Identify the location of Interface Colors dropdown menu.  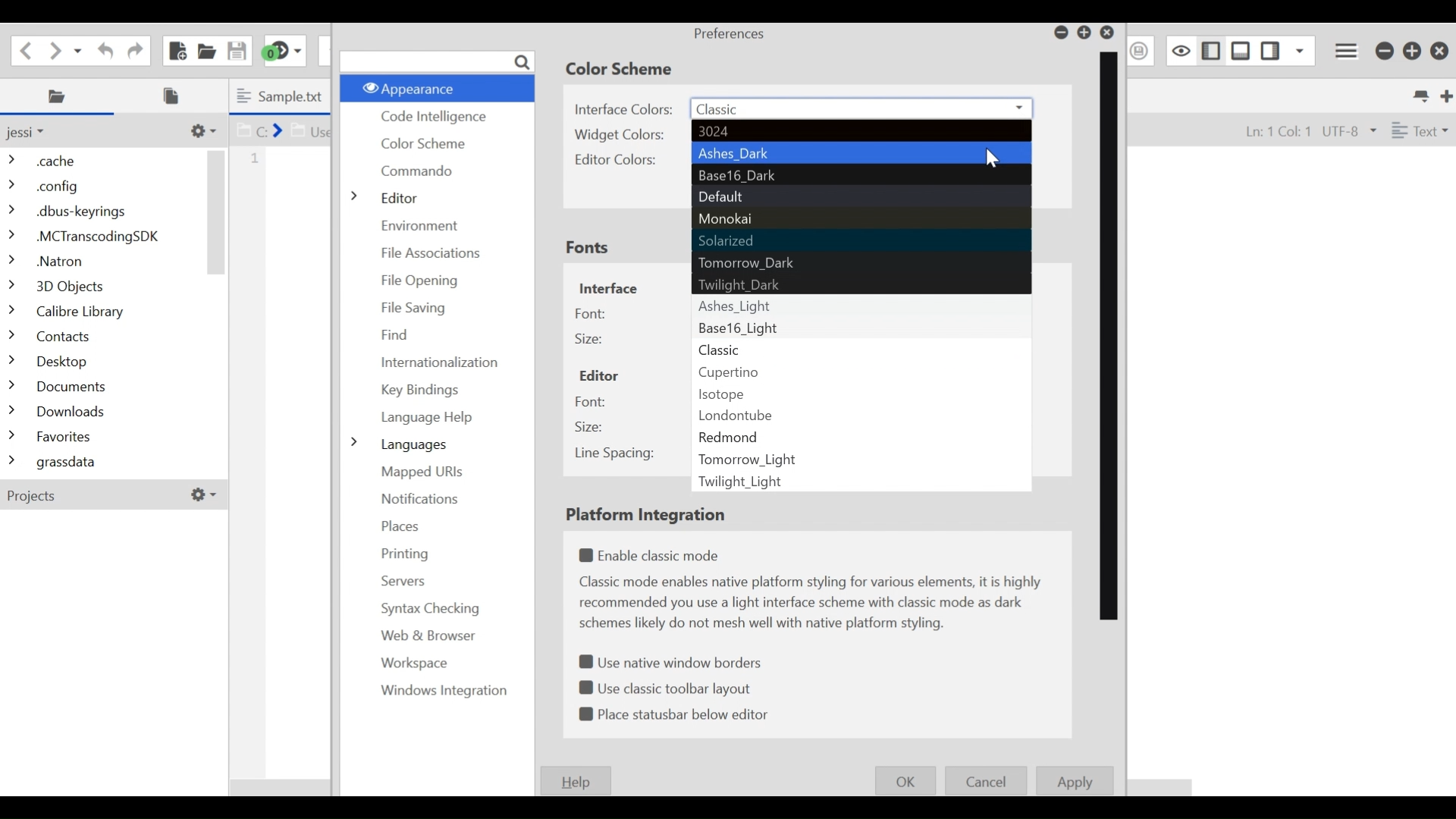
(862, 109).